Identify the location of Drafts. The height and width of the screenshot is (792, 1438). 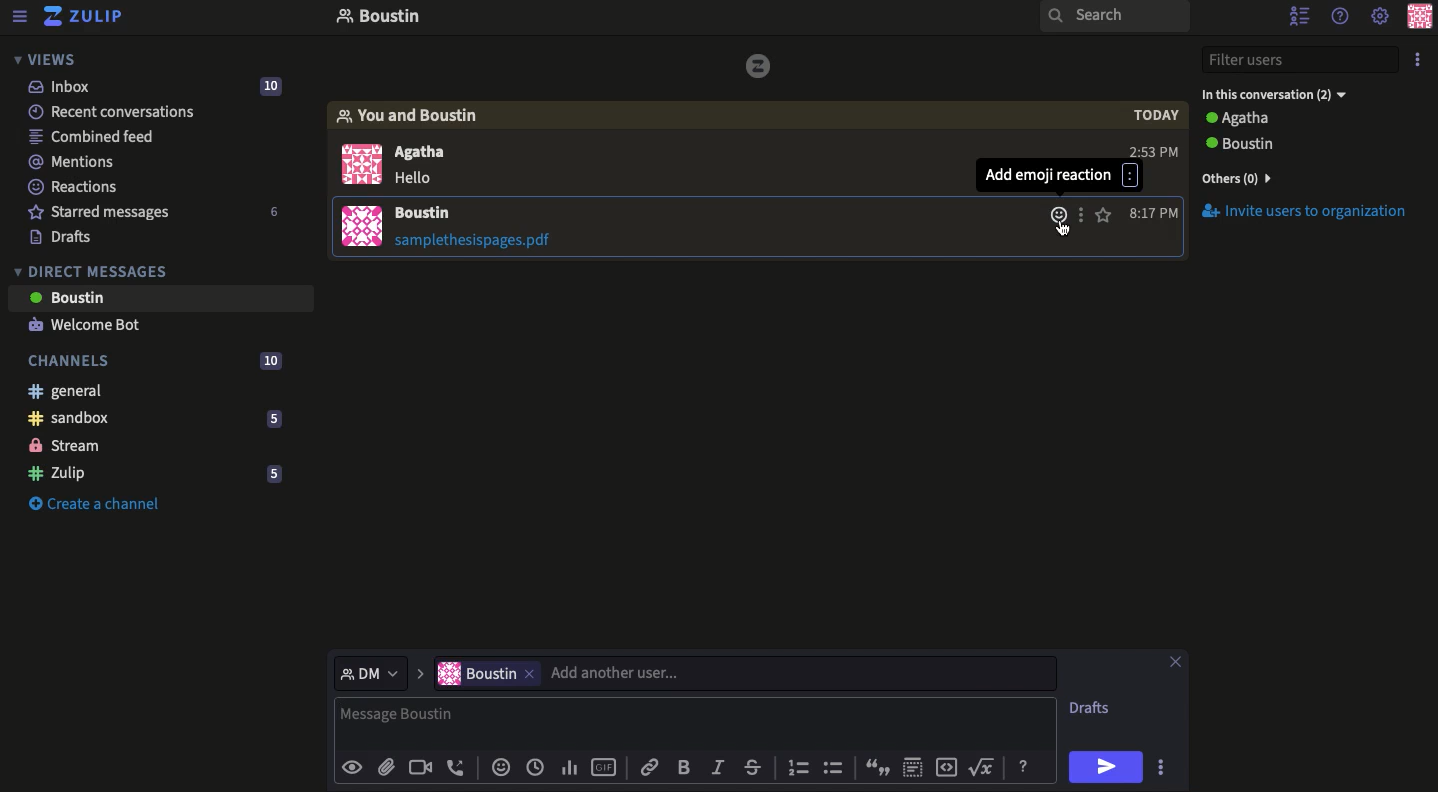
(1091, 708).